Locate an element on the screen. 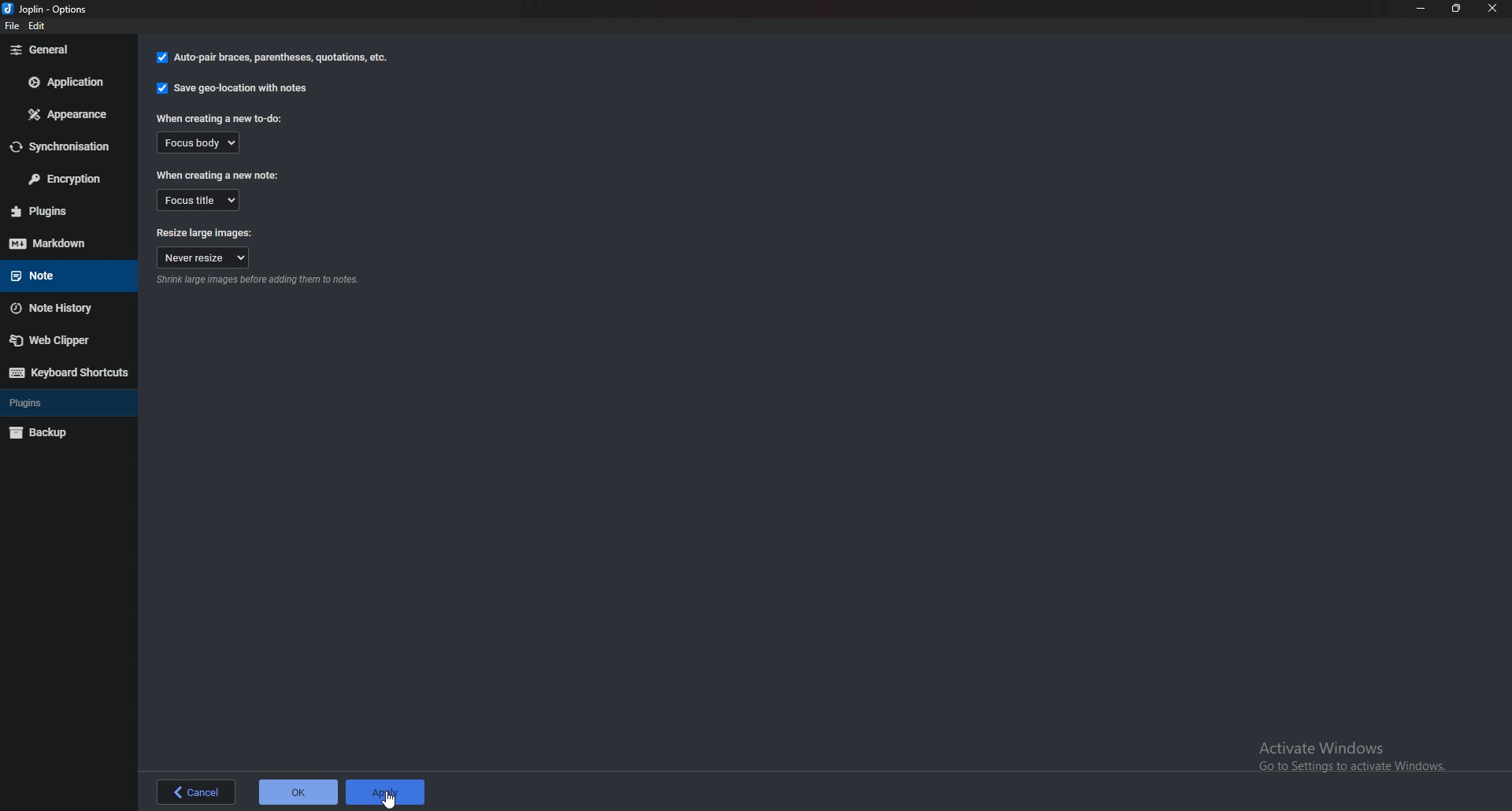 Image resolution: width=1512 pixels, height=811 pixels. Appearance is located at coordinates (69, 113).